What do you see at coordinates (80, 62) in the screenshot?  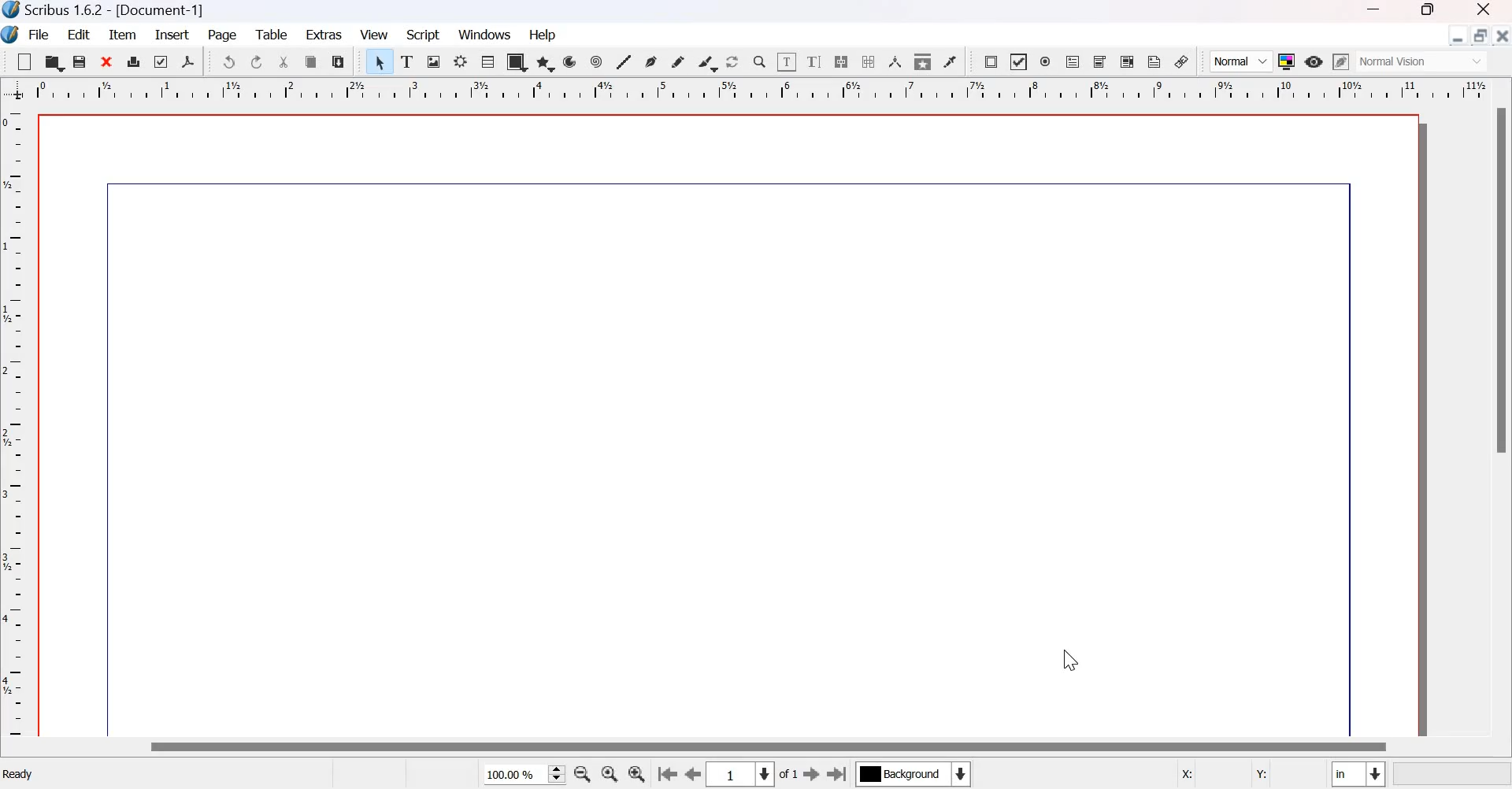 I see `save` at bounding box center [80, 62].